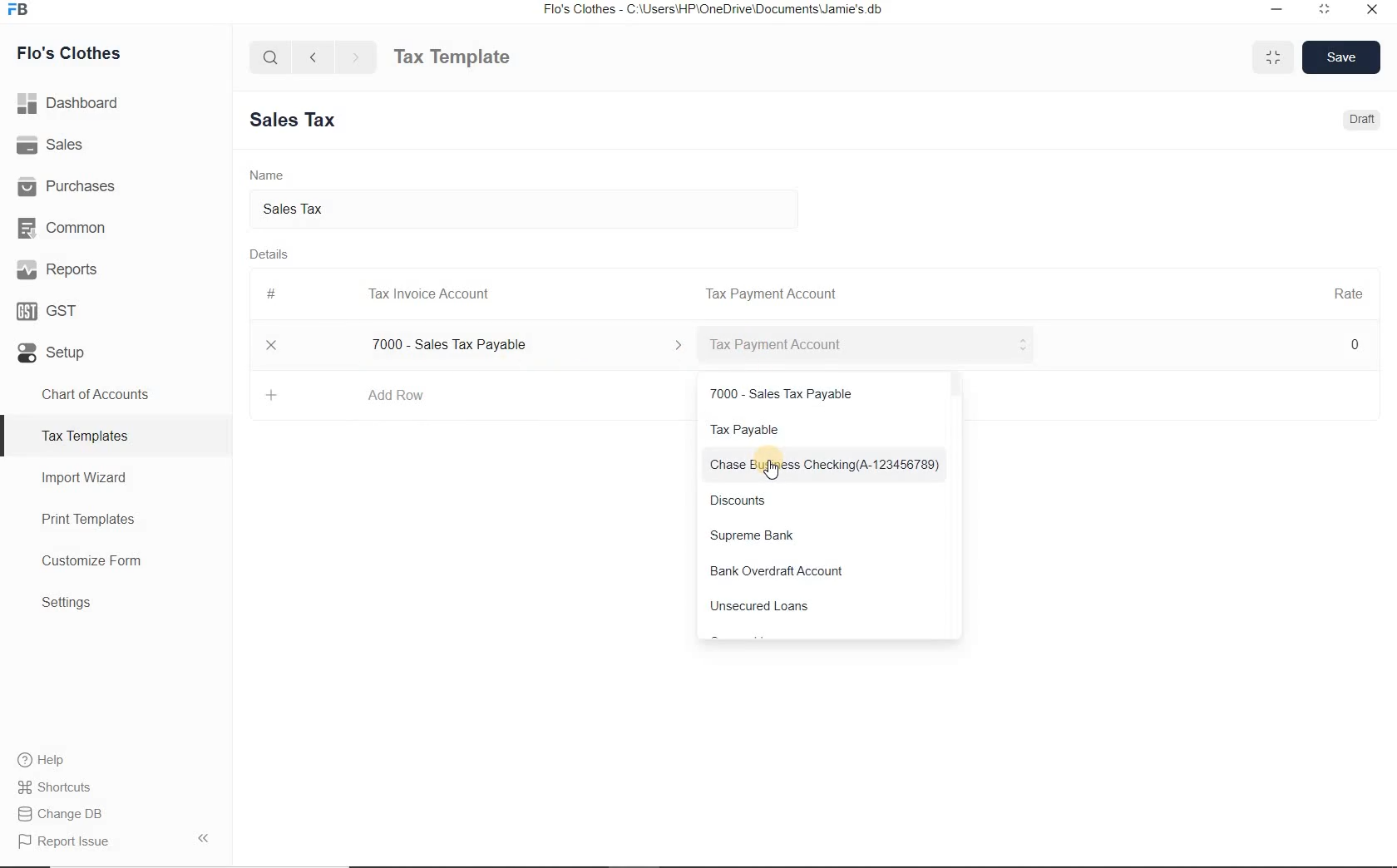 The height and width of the screenshot is (868, 1397). What do you see at coordinates (1342, 57) in the screenshot?
I see `Save` at bounding box center [1342, 57].